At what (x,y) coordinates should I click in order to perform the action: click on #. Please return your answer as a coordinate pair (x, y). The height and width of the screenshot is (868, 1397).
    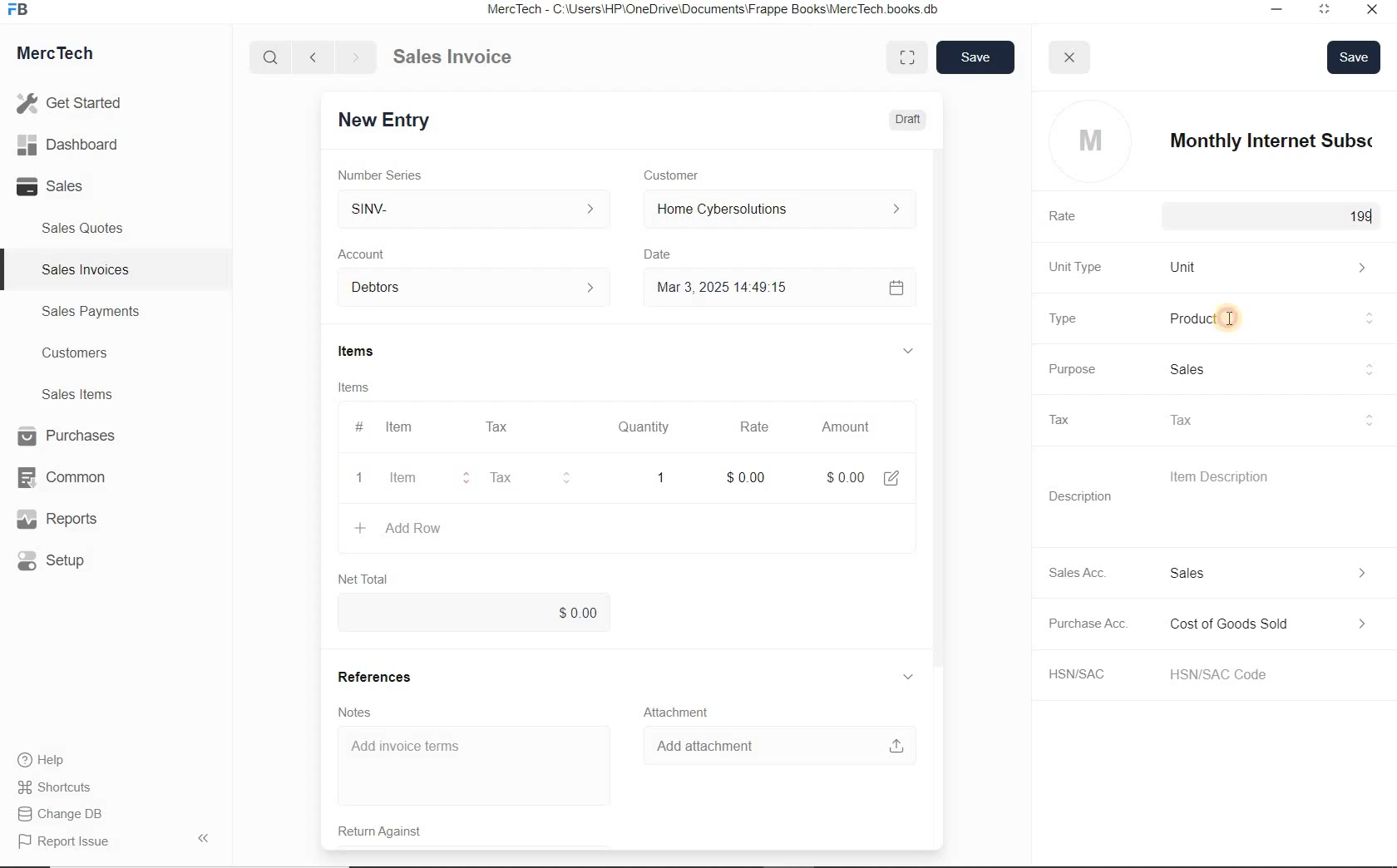
    Looking at the image, I should click on (540, 427).